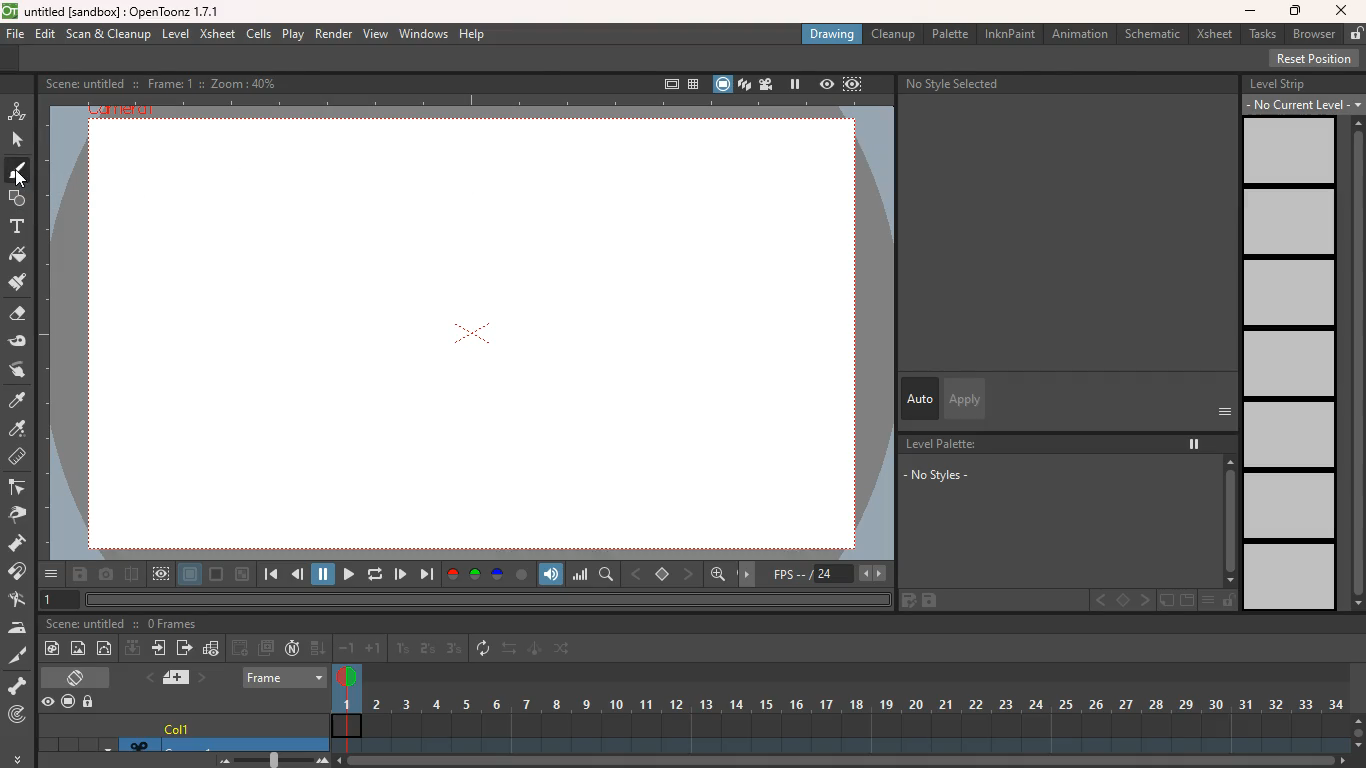 This screenshot has height=768, width=1366. What do you see at coordinates (84, 83) in the screenshot?
I see `scene: untitled` at bounding box center [84, 83].